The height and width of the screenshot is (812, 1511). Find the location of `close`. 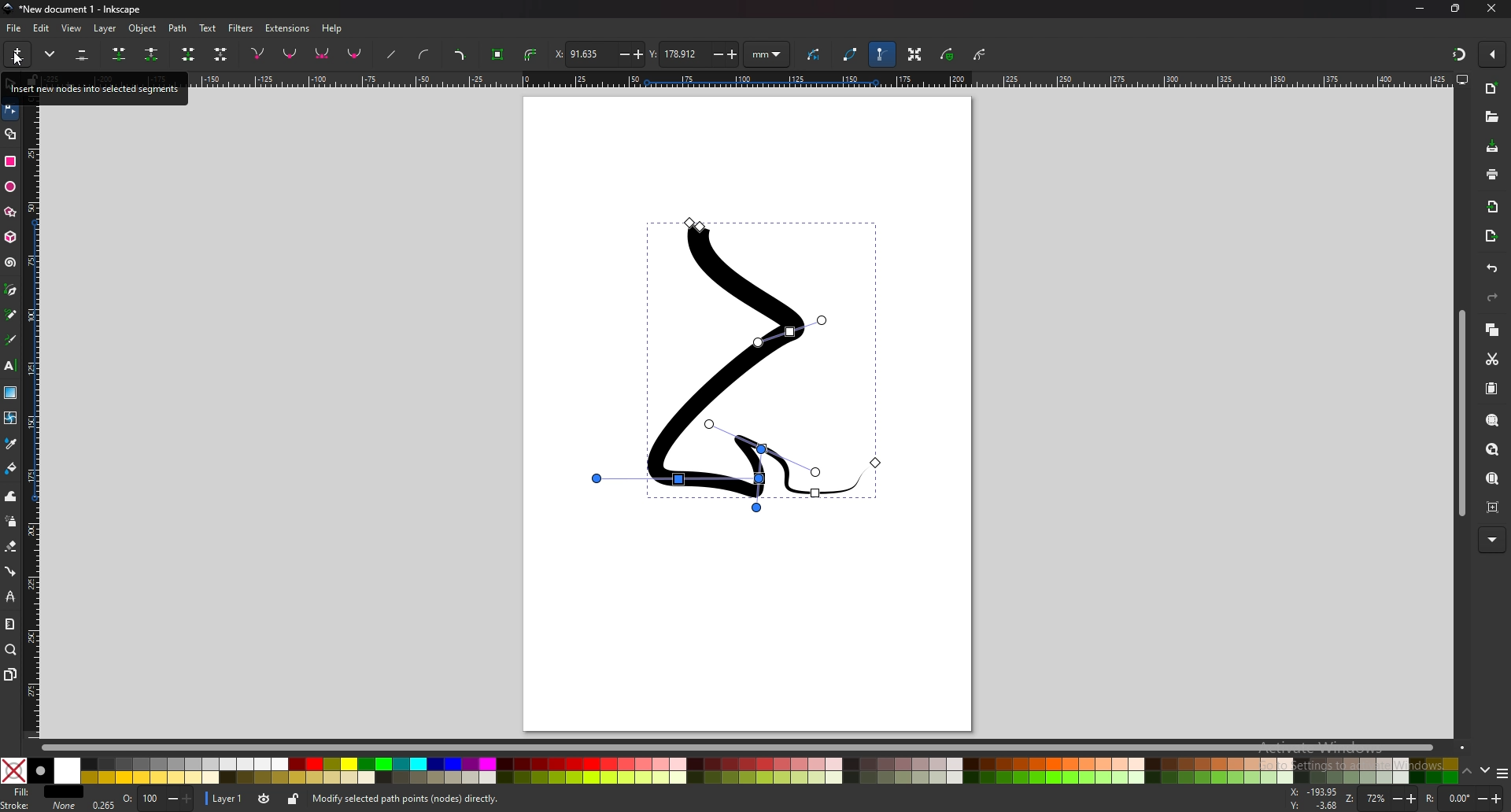

close is located at coordinates (1491, 9).